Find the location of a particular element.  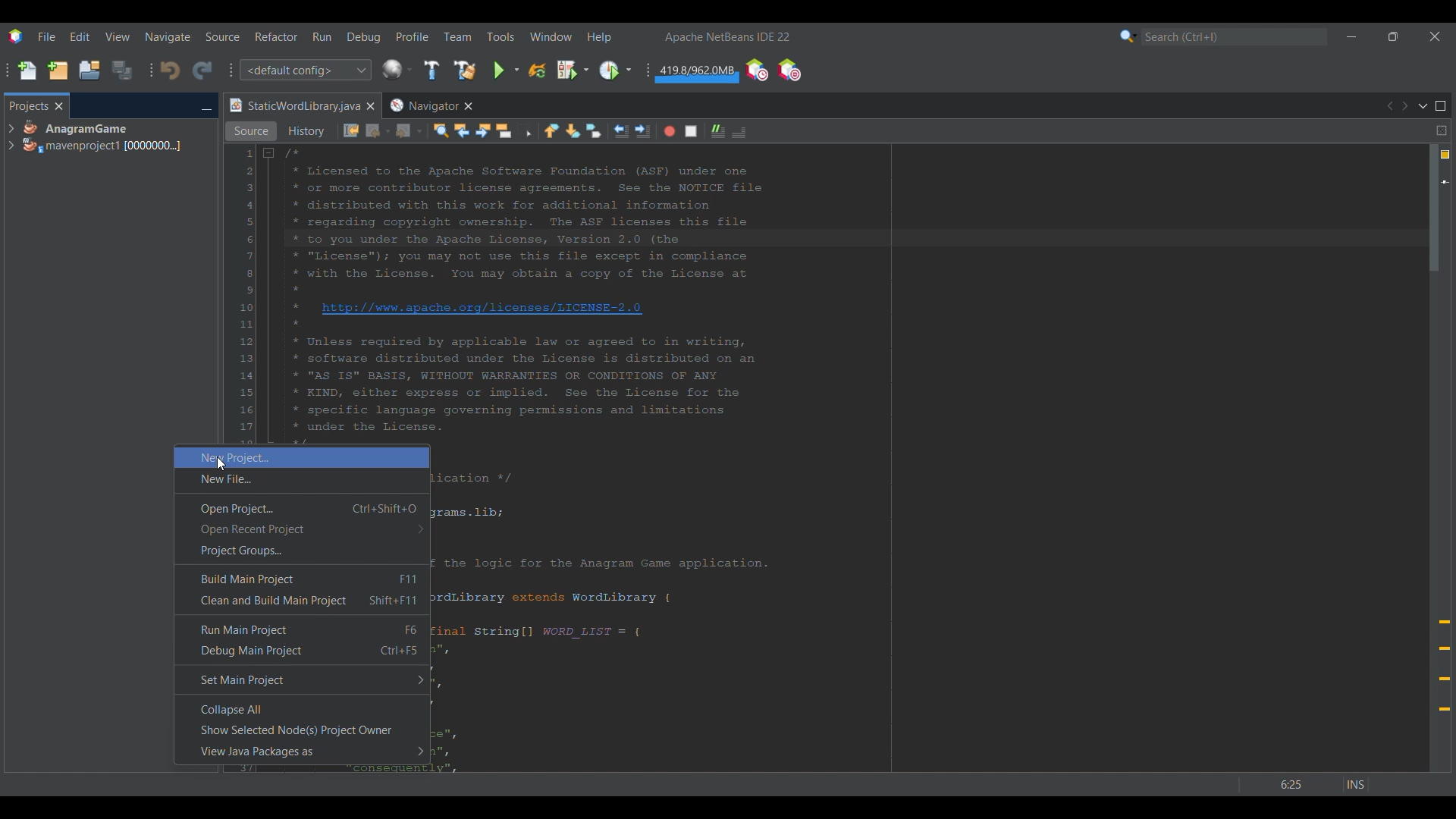

Garbage collection changed is located at coordinates (697, 74).